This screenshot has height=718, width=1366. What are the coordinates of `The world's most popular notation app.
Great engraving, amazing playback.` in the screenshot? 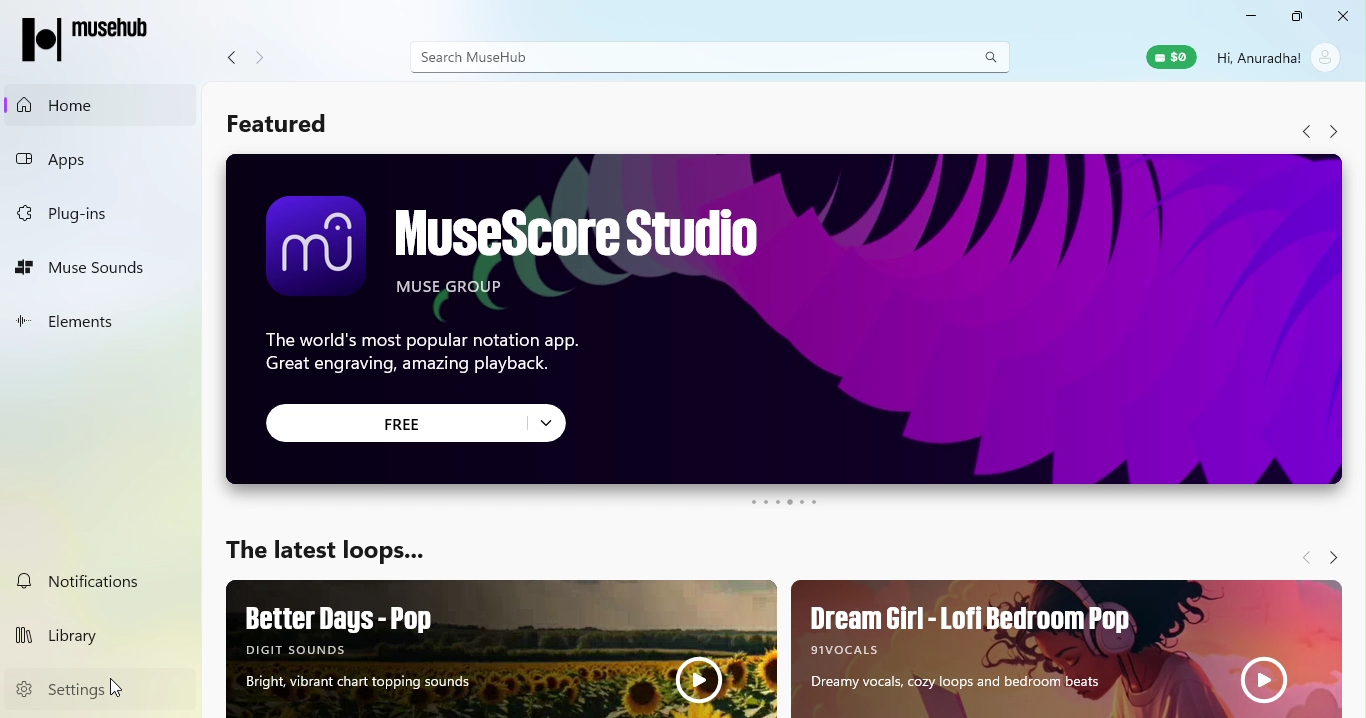 It's located at (444, 359).